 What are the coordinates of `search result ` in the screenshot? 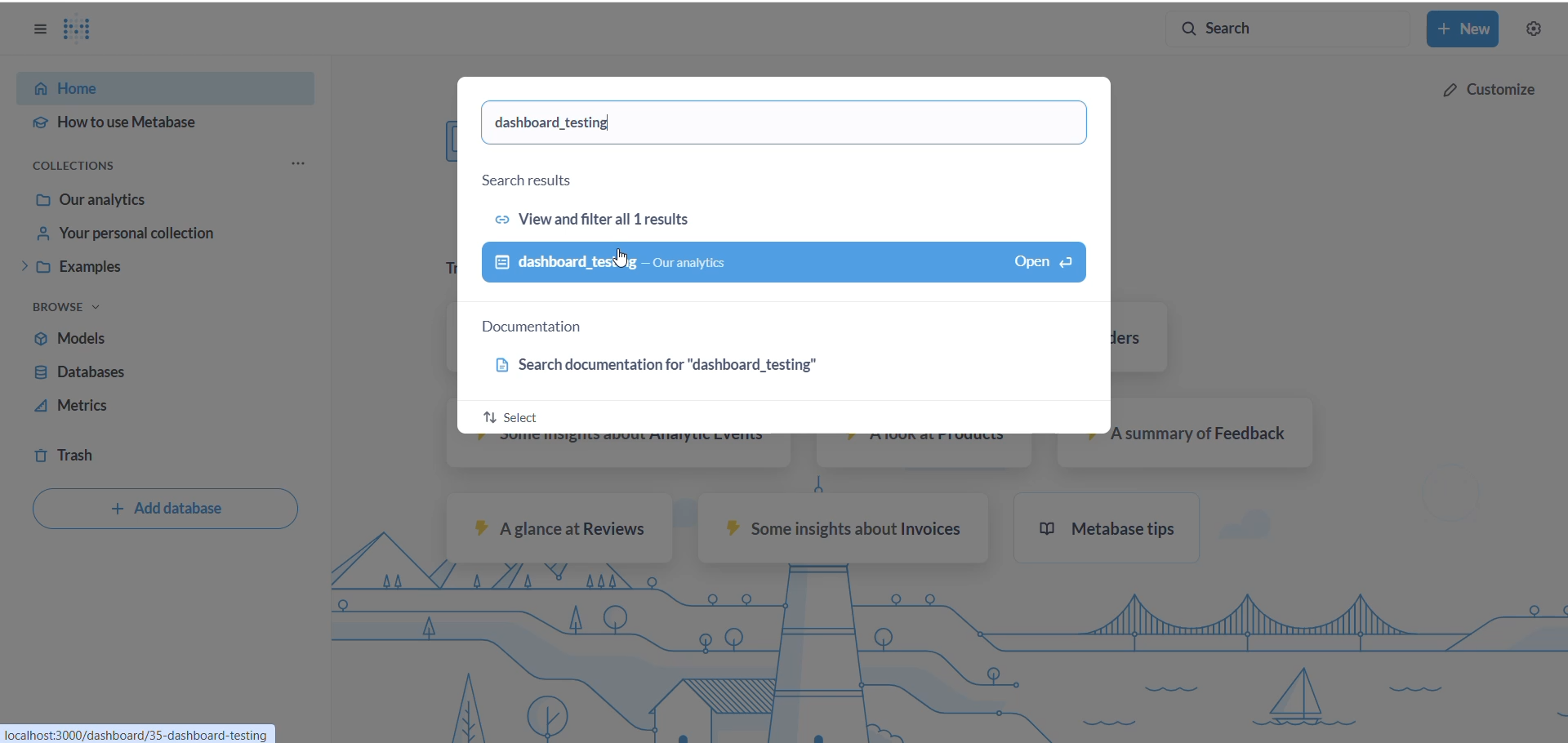 It's located at (541, 178).